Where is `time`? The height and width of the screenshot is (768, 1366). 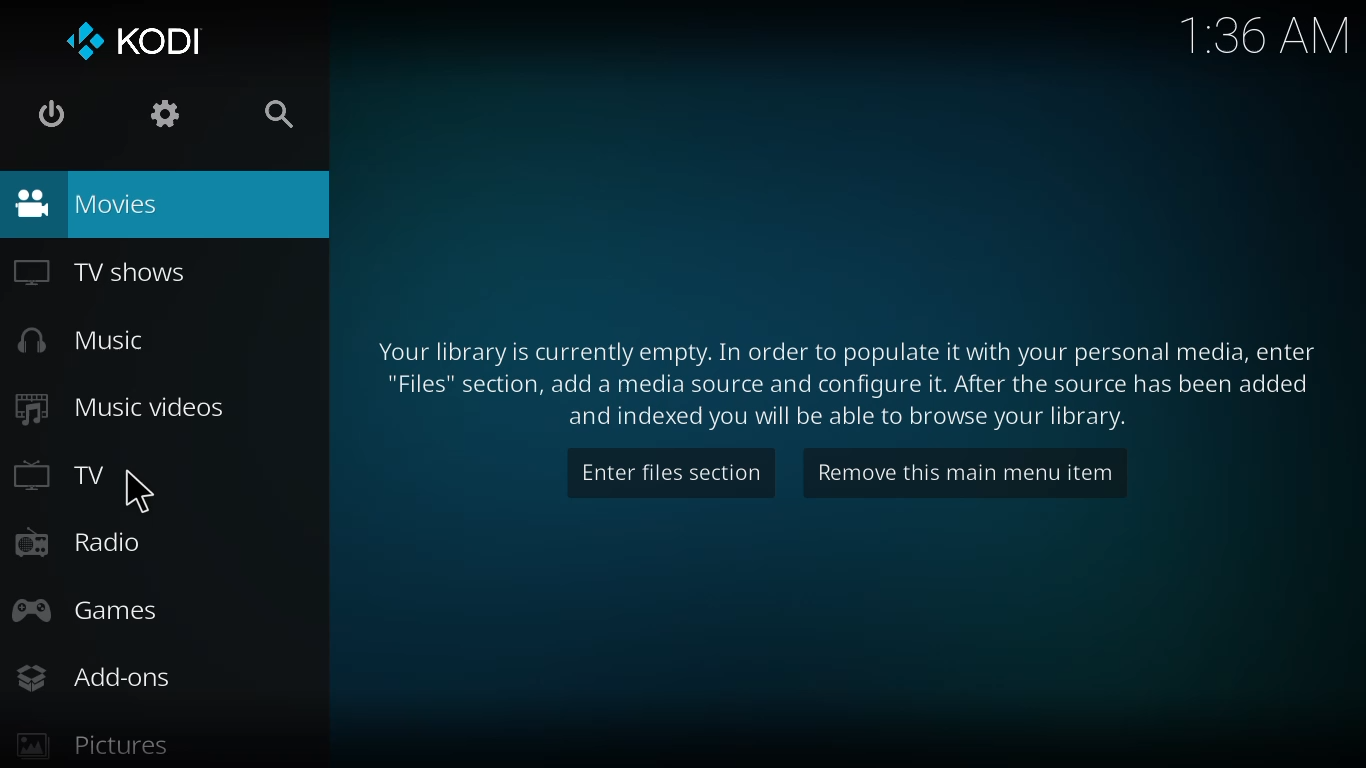 time is located at coordinates (1266, 32).